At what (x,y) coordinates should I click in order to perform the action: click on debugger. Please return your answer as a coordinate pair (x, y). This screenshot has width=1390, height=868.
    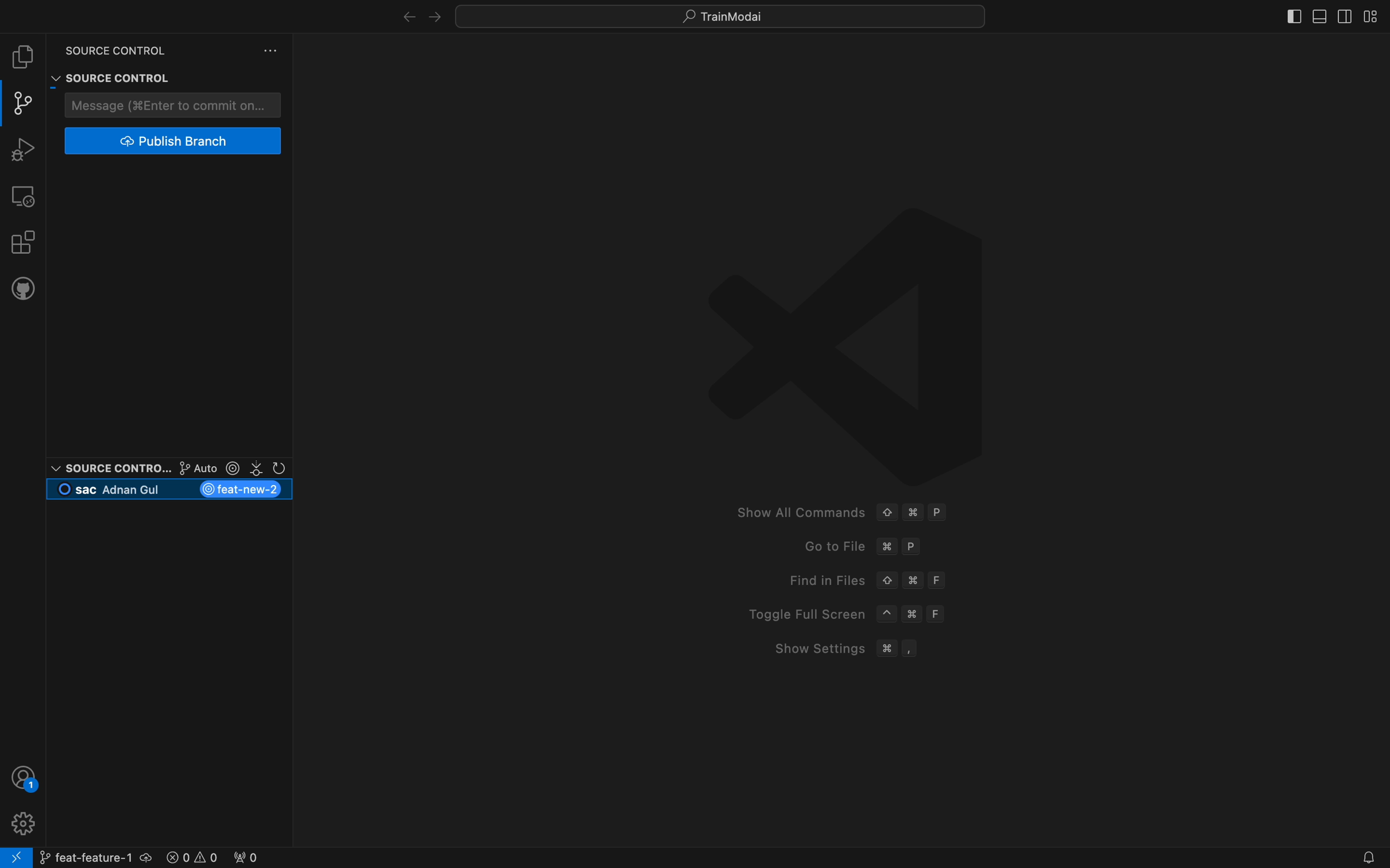
    Looking at the image, I should click on (22, 148).